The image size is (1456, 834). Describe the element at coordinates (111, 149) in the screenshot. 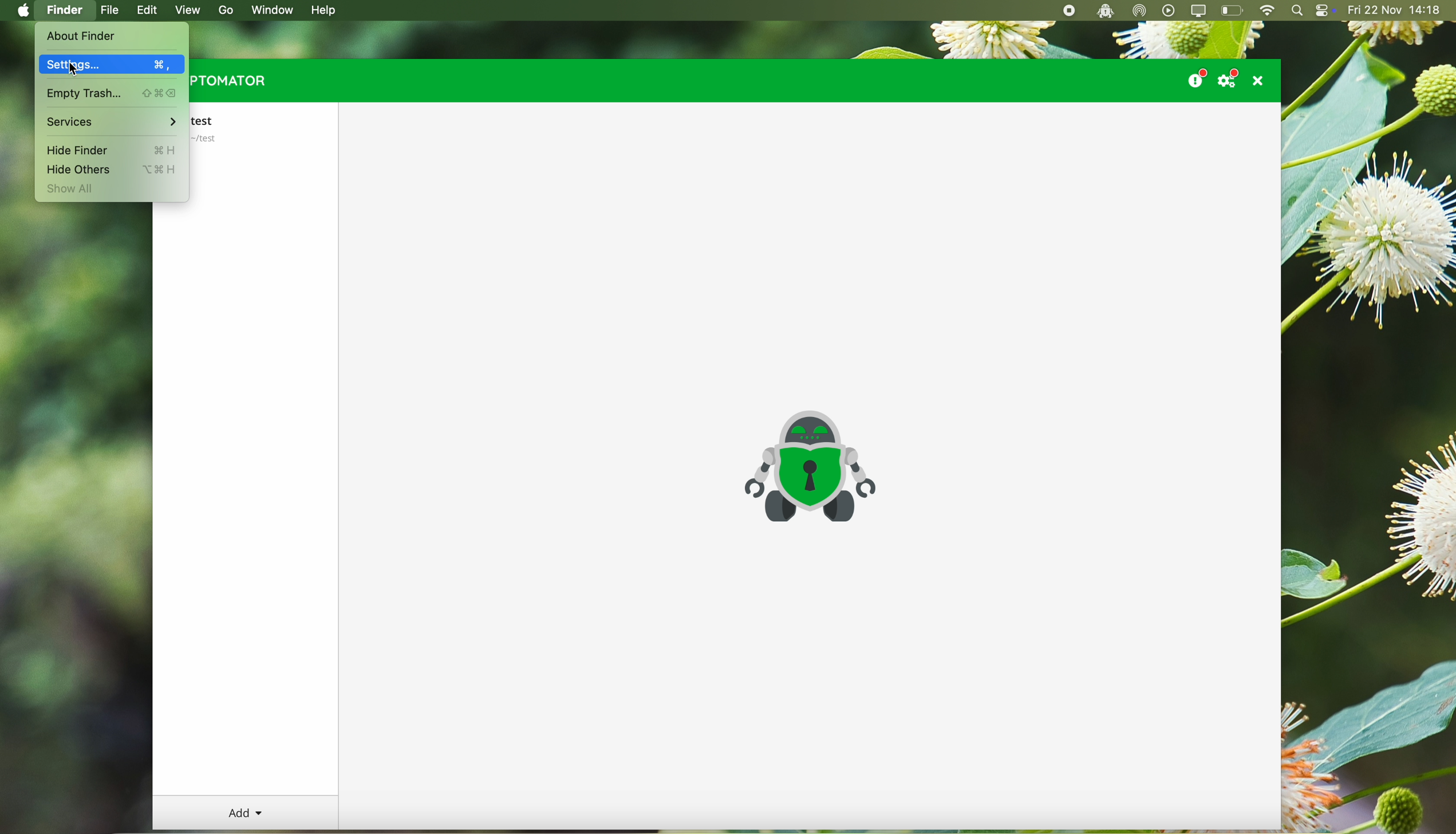

I see `hide finder` at that location.